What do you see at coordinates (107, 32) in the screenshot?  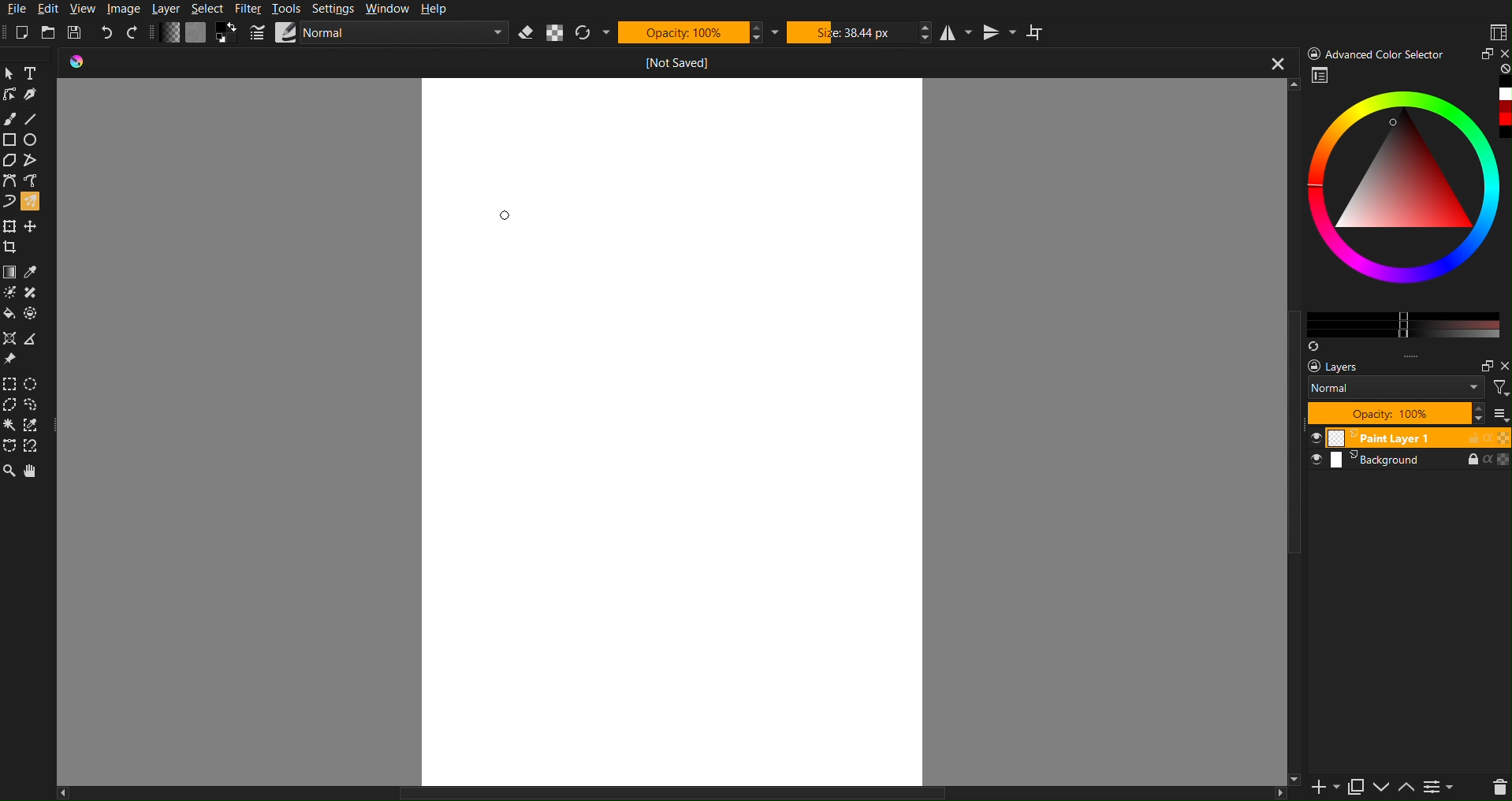 I see `Undo` at bounding box center [107, 32].